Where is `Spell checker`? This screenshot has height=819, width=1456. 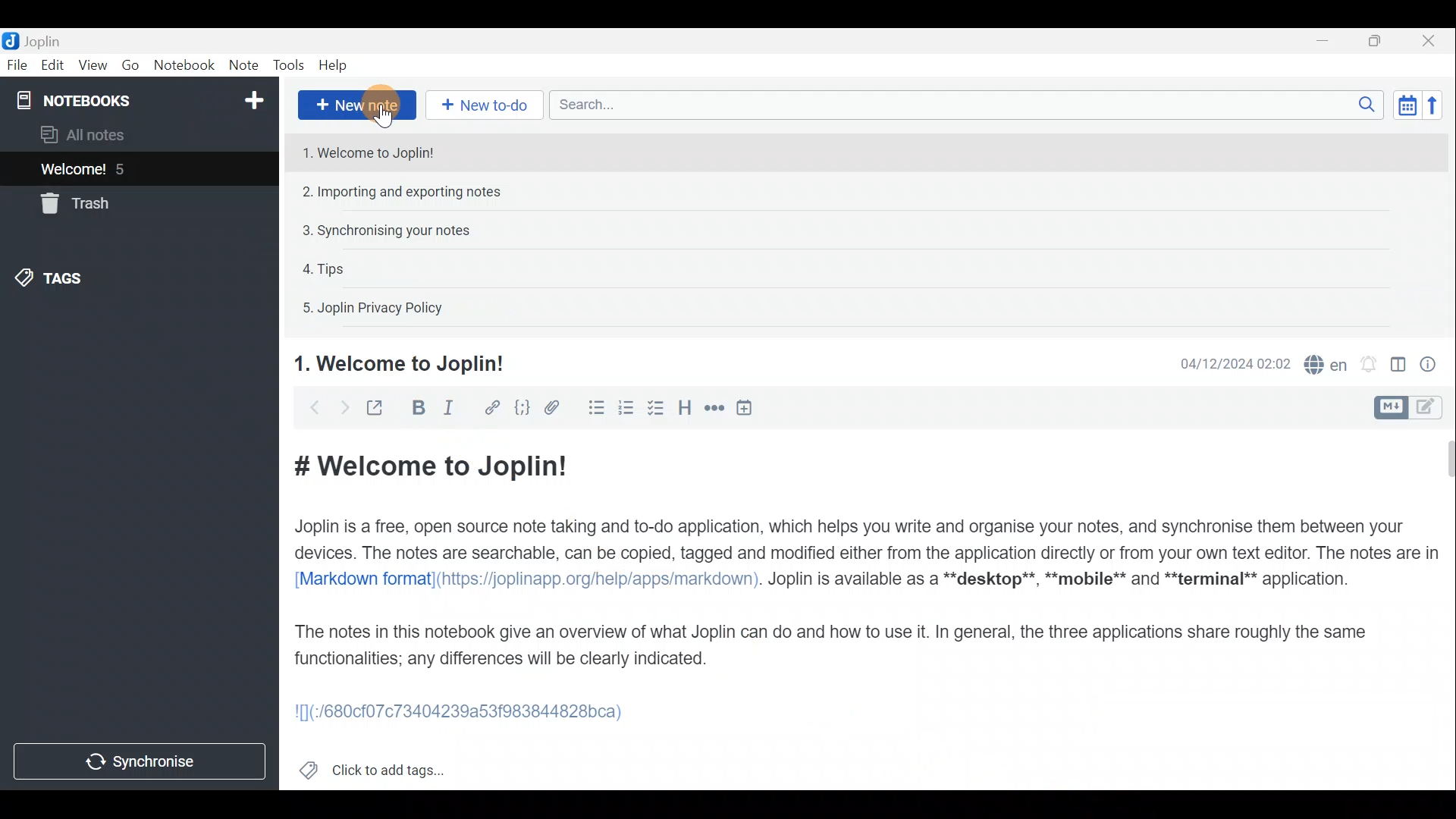
Spell checker is located at coordinates (1327, 362).